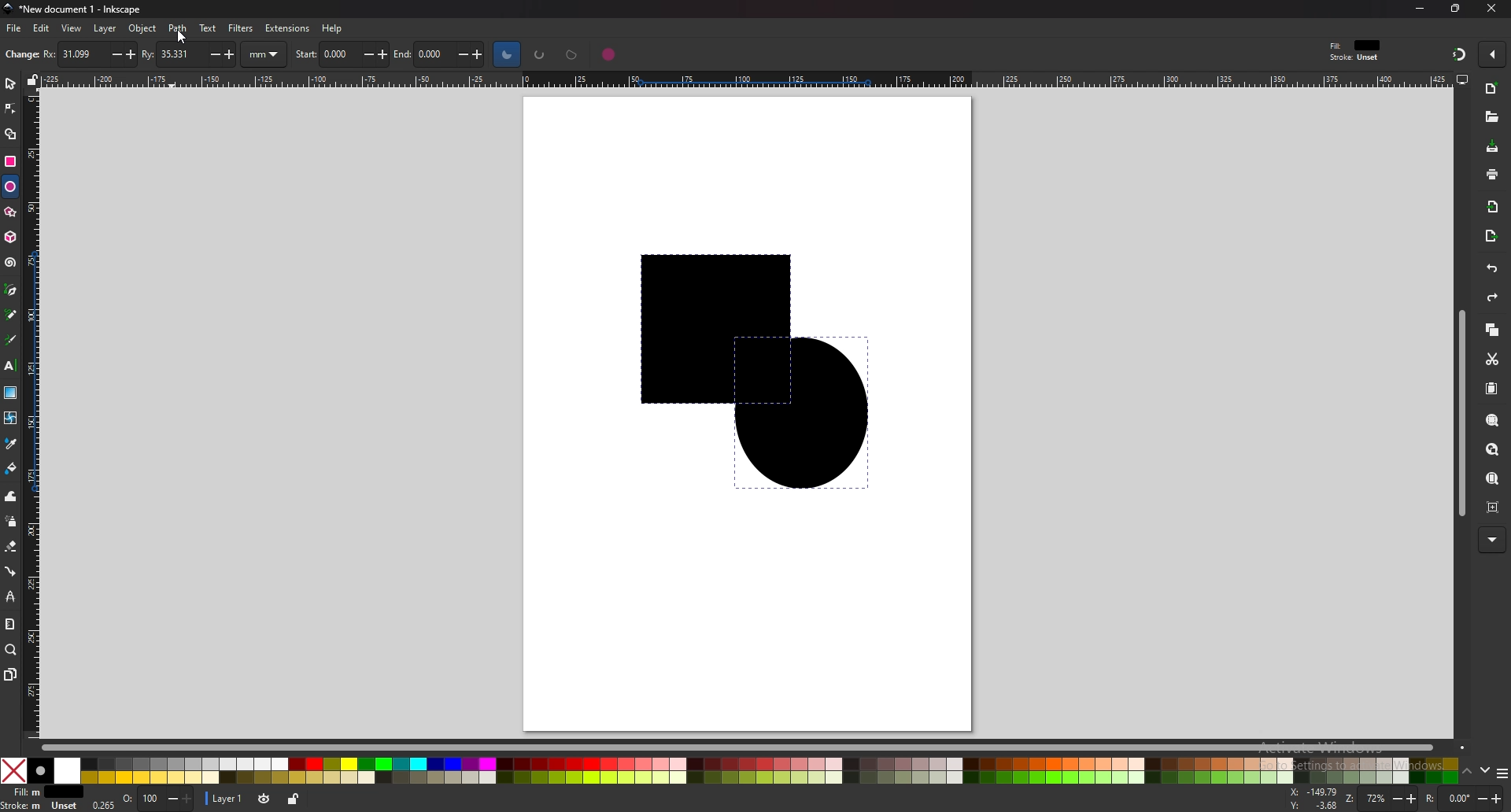  Describe the element at coordinates (87, 54) in the screenshot. I see `horizontal radius` at that location.